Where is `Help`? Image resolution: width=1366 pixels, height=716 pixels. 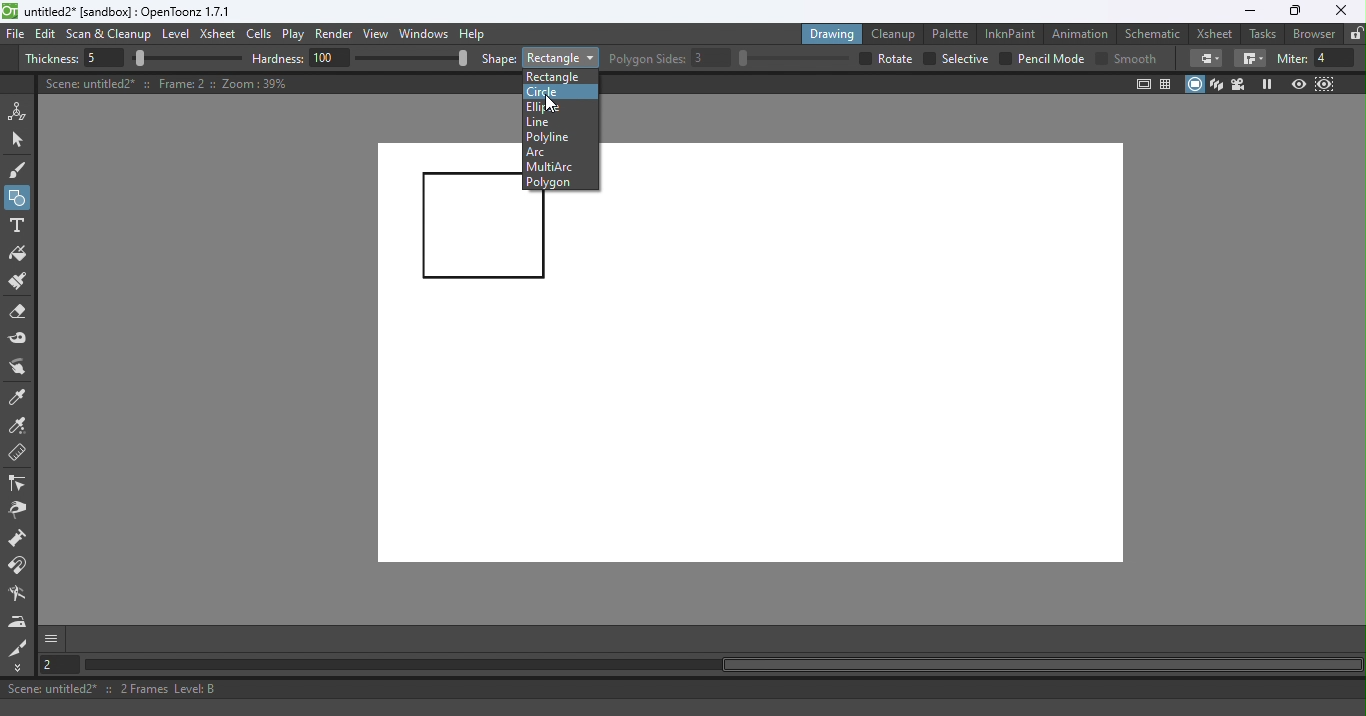 Help is located at coordinates (475, 33).